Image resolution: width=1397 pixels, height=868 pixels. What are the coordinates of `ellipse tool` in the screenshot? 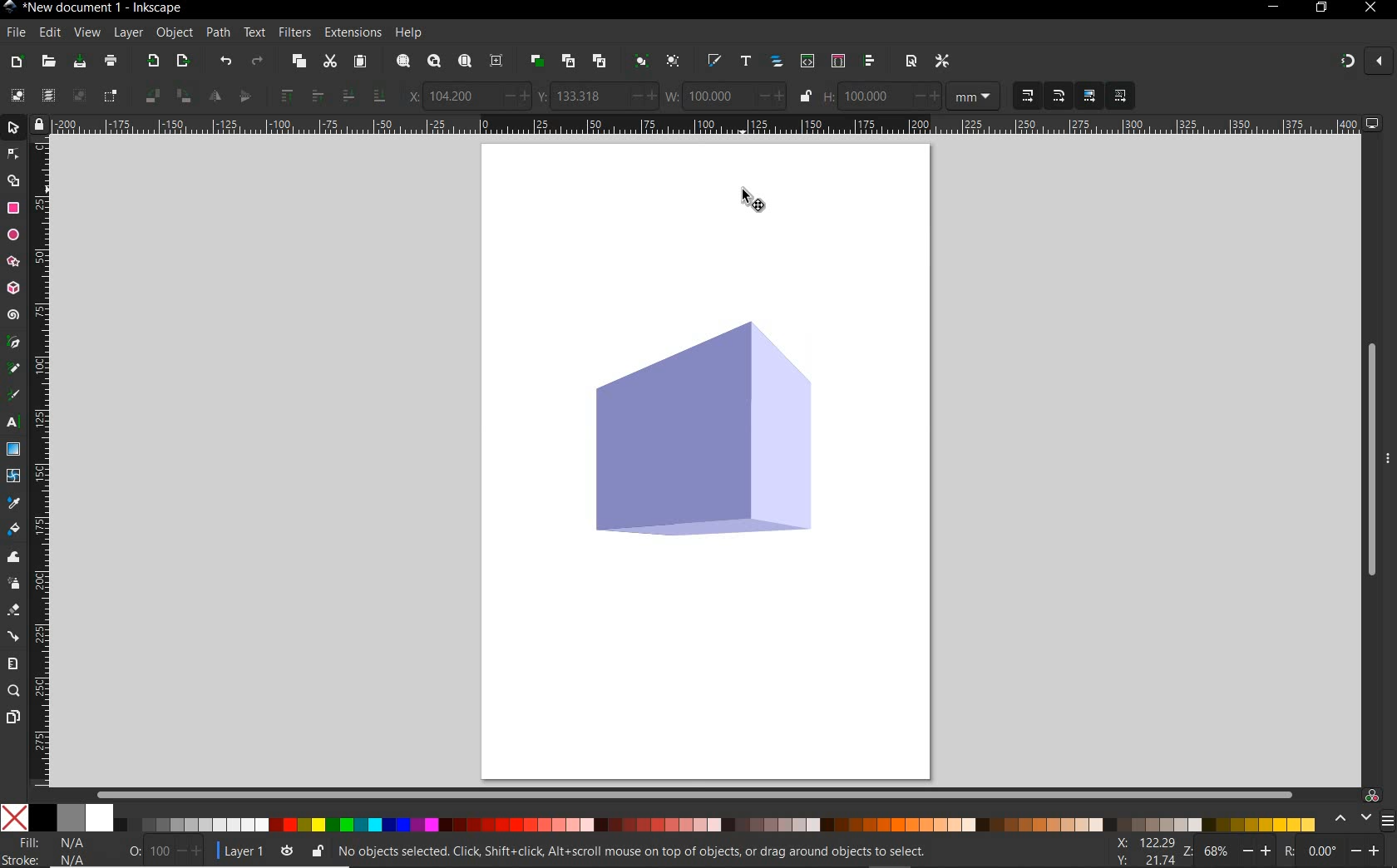 It's located at (12, 235).